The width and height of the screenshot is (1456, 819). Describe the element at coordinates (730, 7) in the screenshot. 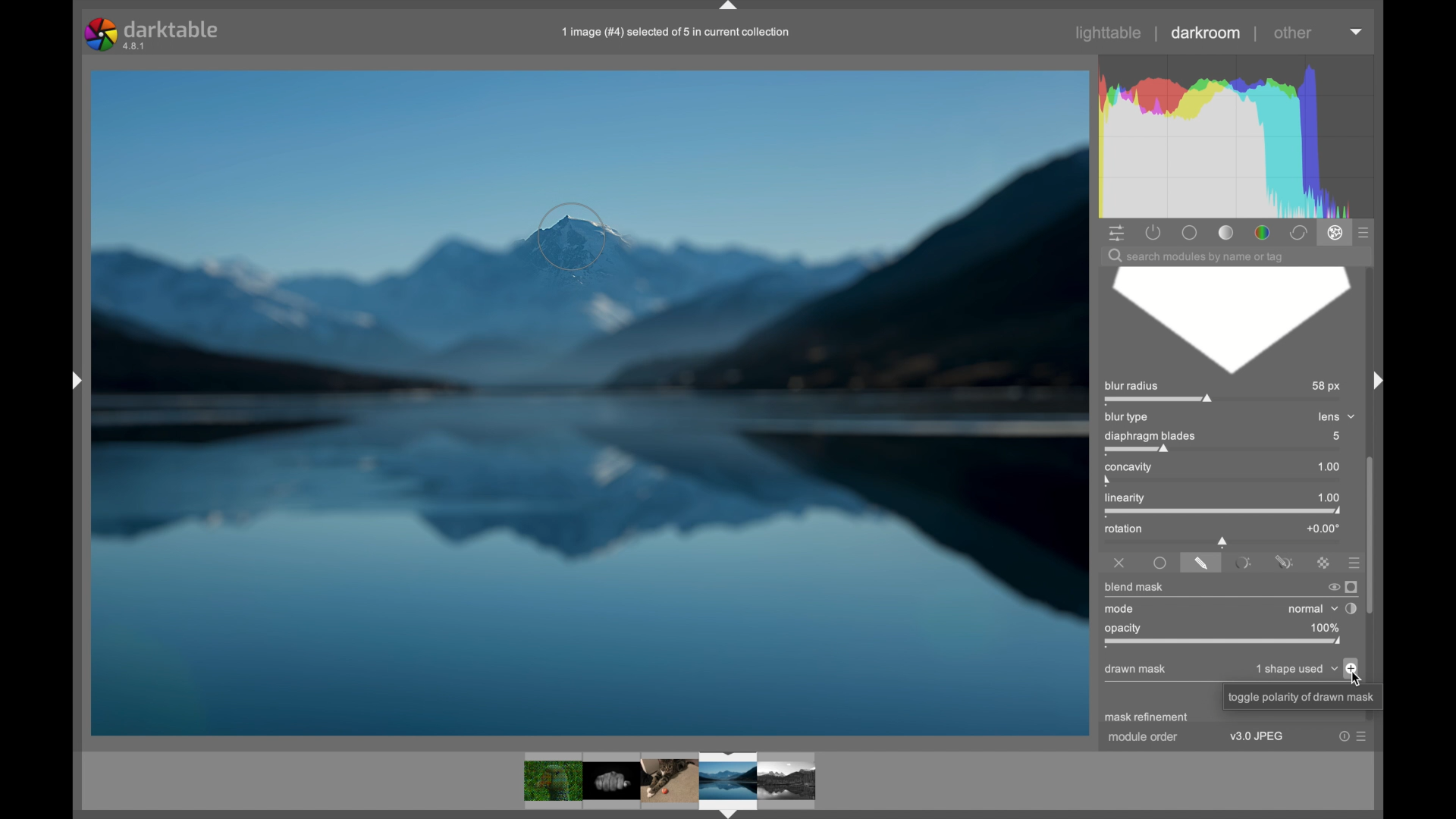

I see `drag handle` at that location.